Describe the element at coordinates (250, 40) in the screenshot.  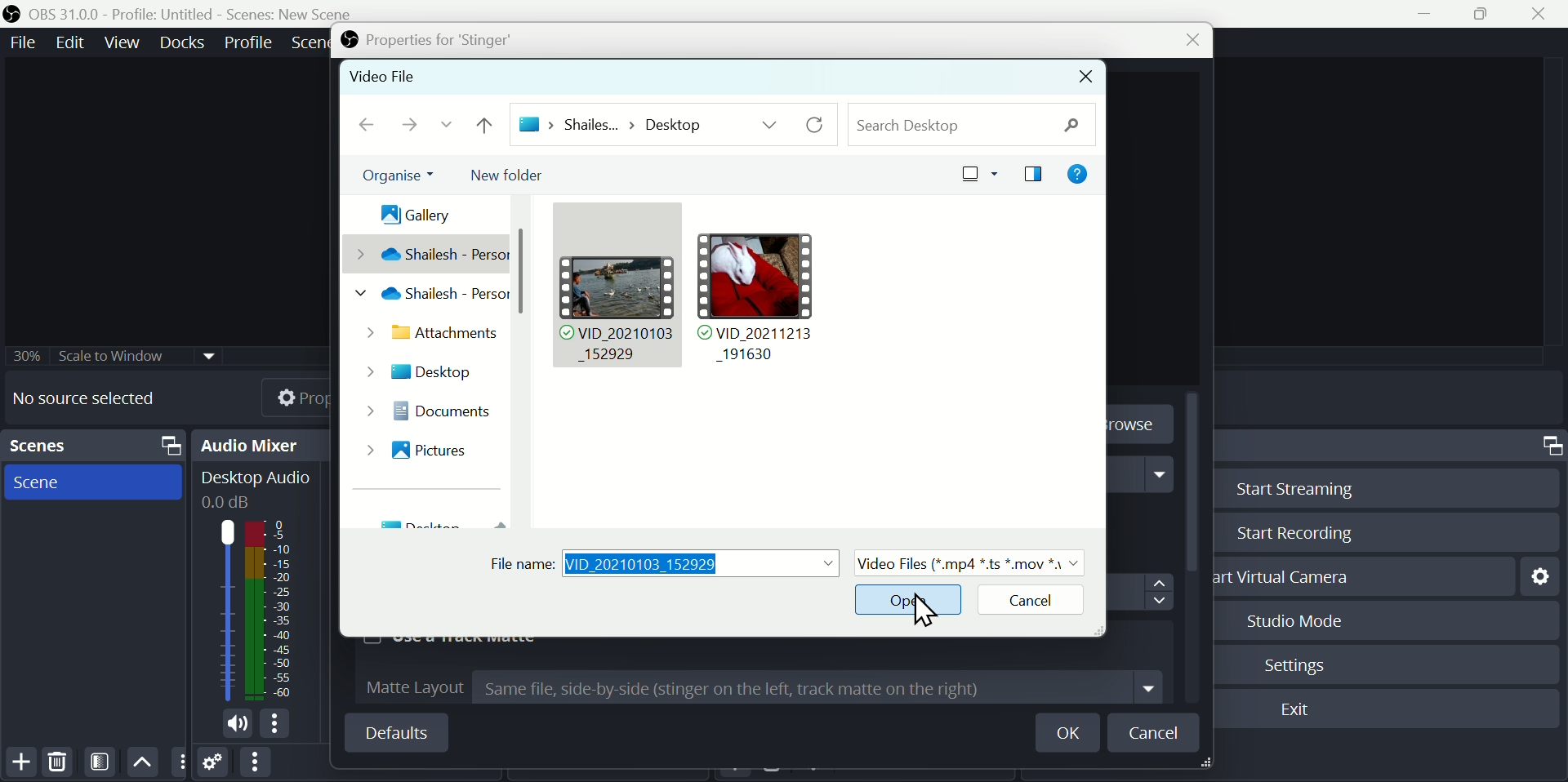
I see `` at that location.